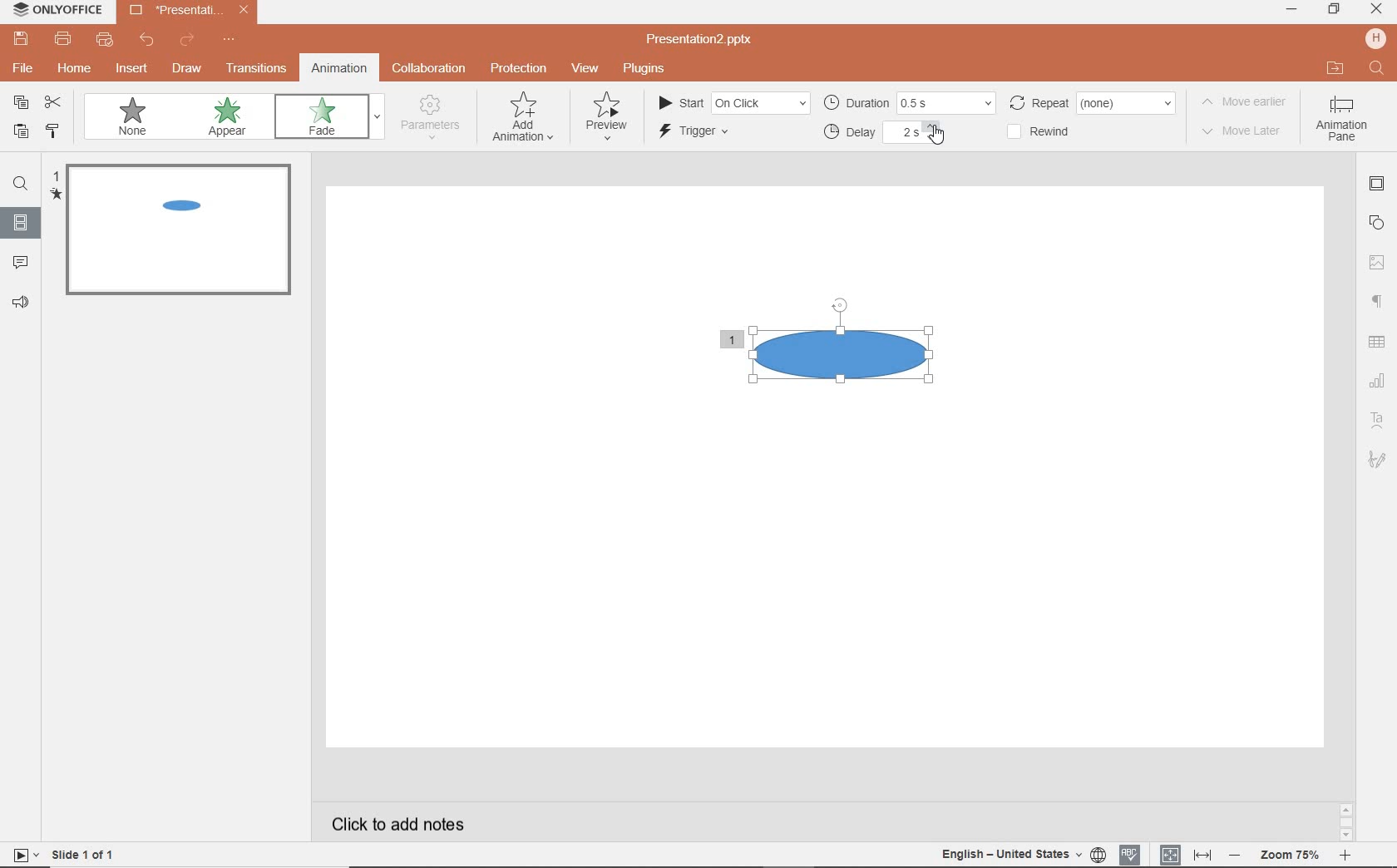 This screenshot has height=868, width=1397. What do you see at coordinates (432, 70) in the screenshot?
I see `collaboration` at bounding box center [432, 70].